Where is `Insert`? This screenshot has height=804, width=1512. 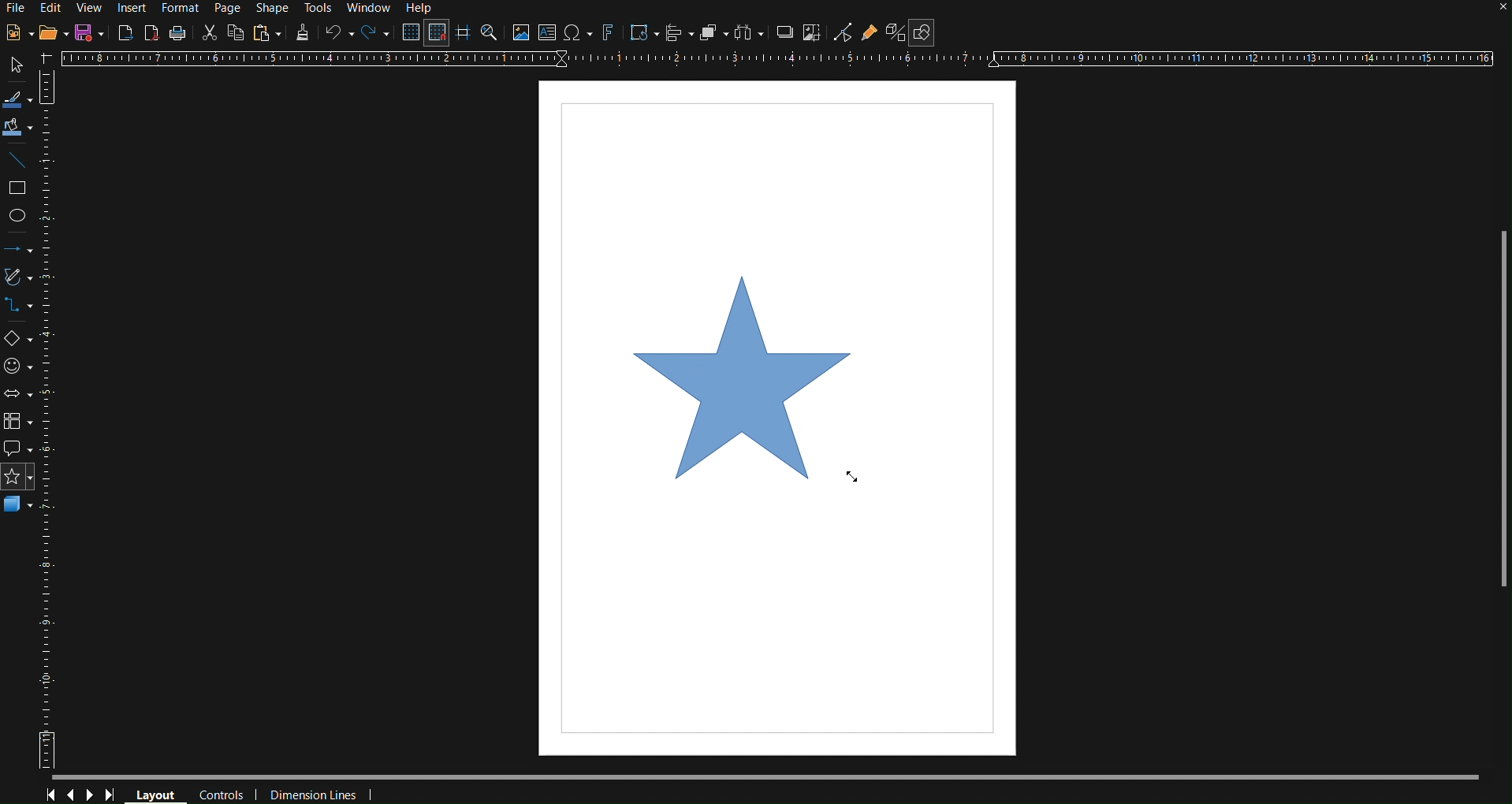 Insert is located at coordinates (131, 9).